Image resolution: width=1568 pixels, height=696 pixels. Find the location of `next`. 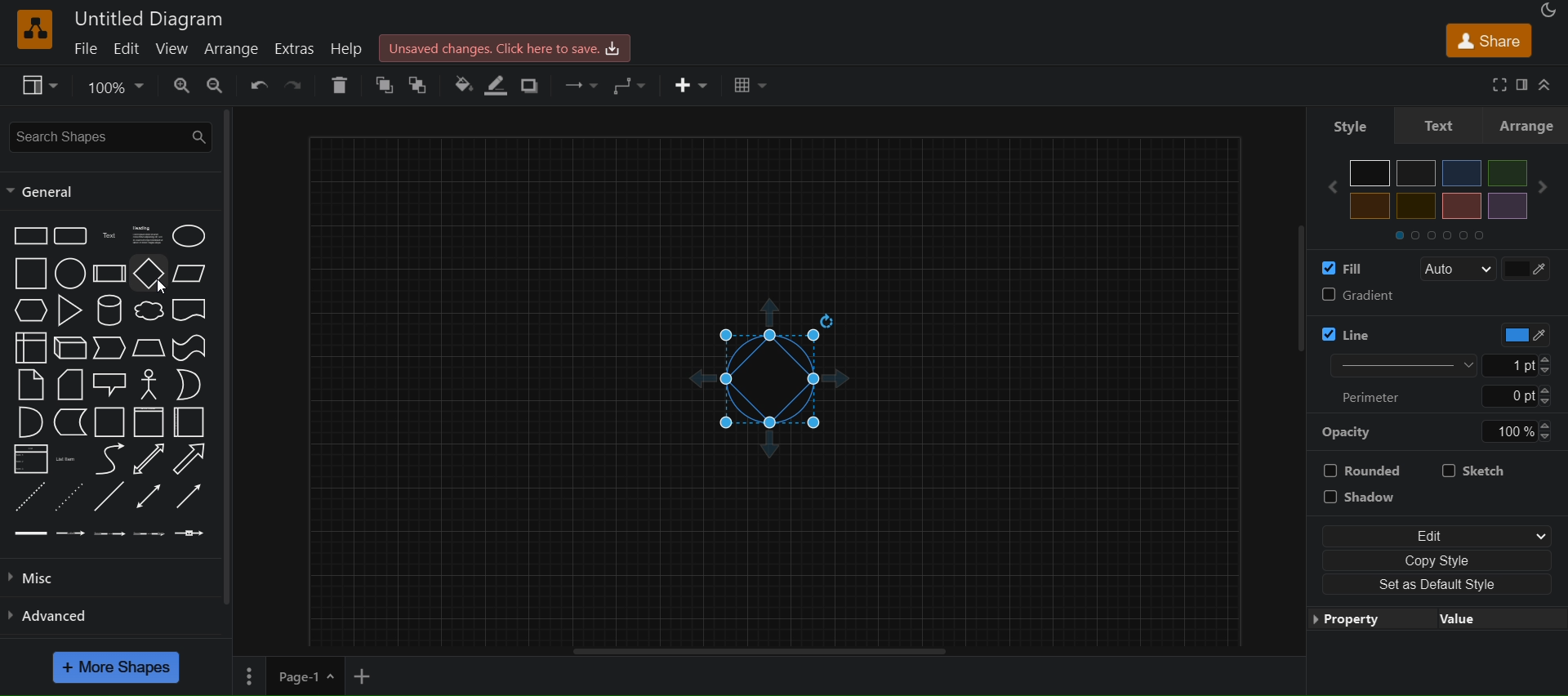

next is located at coordinates (1548, 187).